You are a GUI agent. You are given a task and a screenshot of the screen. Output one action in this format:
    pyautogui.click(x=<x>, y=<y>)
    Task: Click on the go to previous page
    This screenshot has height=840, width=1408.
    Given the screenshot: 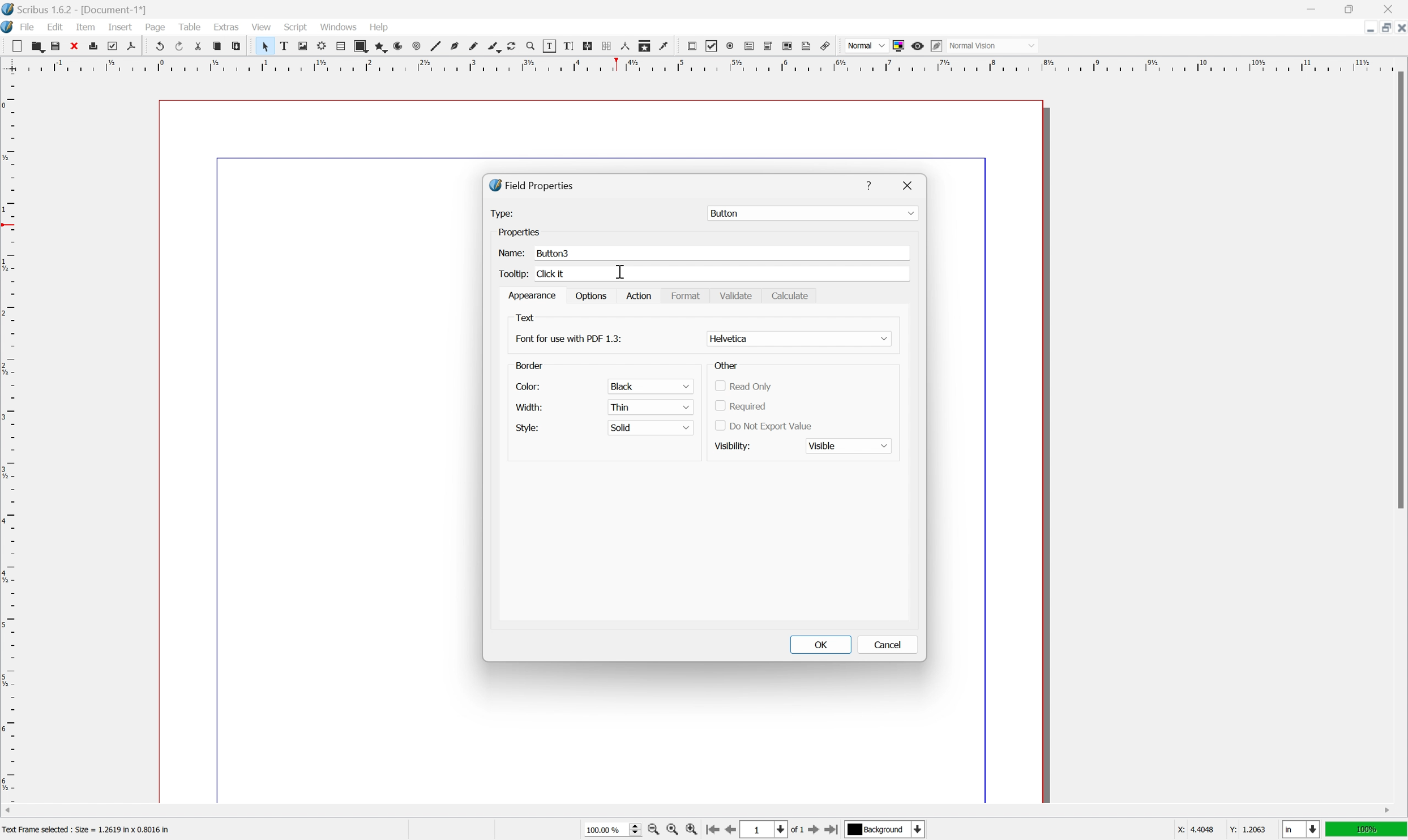 What is the action you would take?
    pyautogui.click(x=730, y=832)
    